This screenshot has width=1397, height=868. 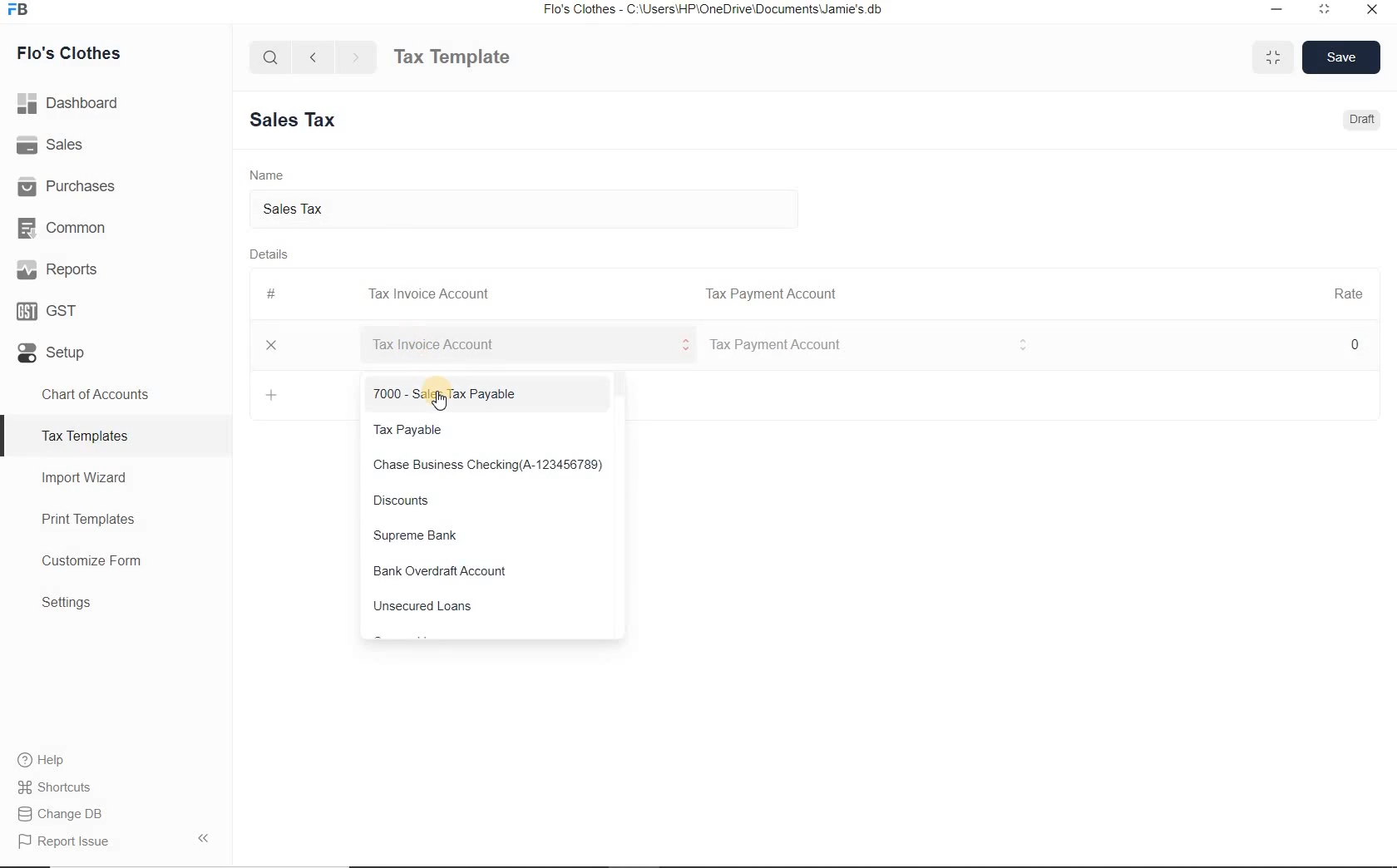 What do you see at coordinates (116, 308) in the screenshot?
I see `GST` at bounding box center [116, 308].